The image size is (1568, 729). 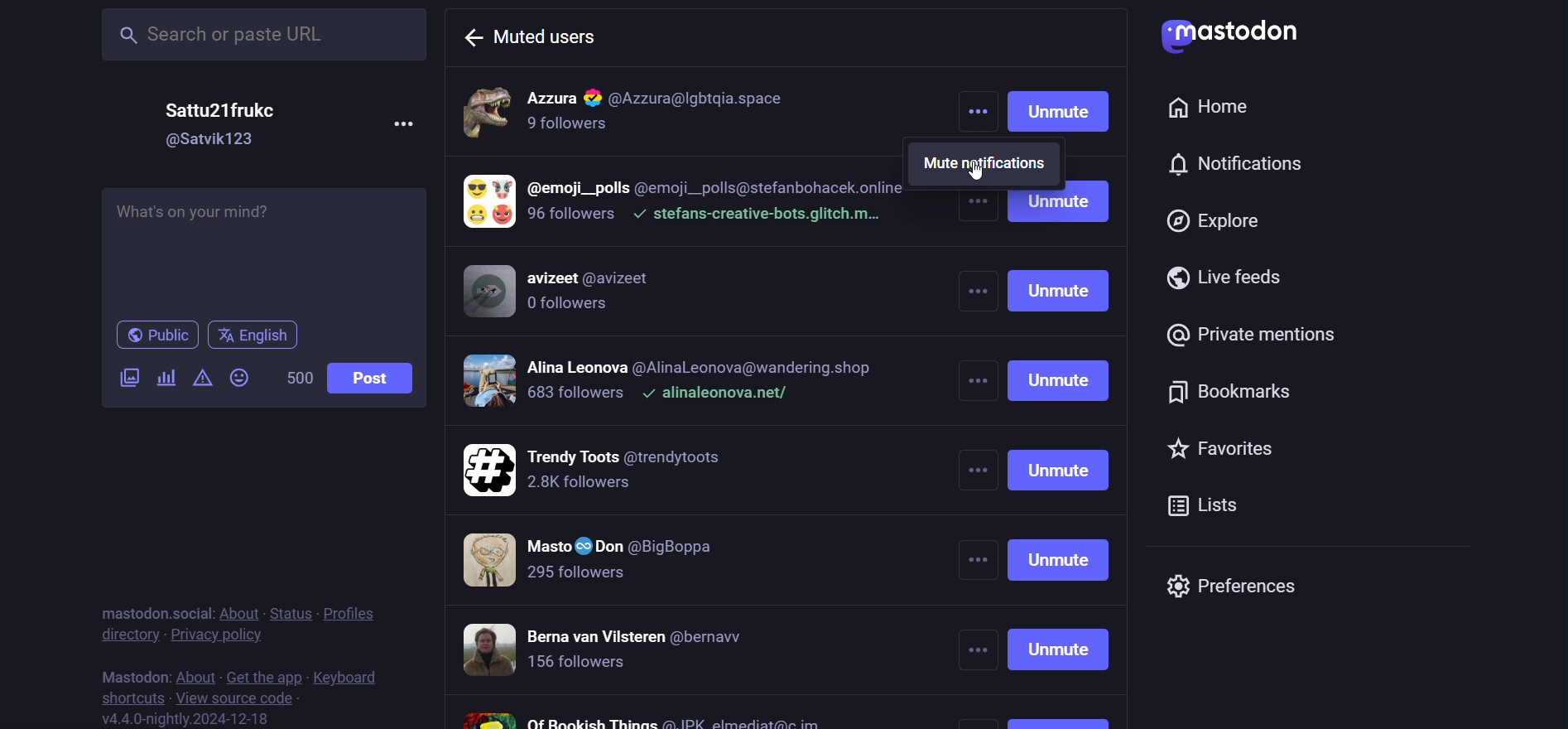 I want to click on more, so click(x=977, y=104).